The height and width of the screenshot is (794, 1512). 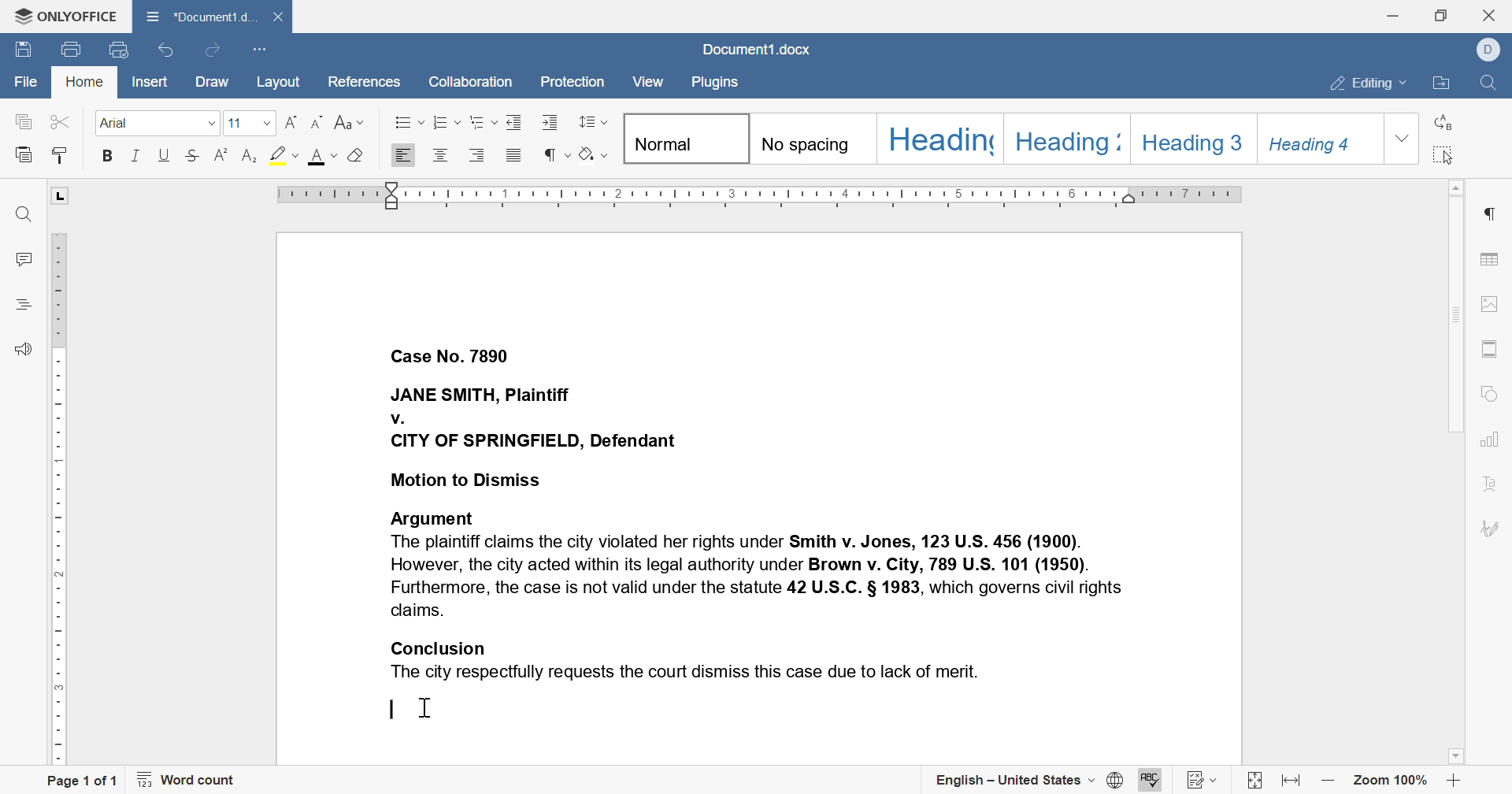 I want to click on paste, so click(x=26, y=154).